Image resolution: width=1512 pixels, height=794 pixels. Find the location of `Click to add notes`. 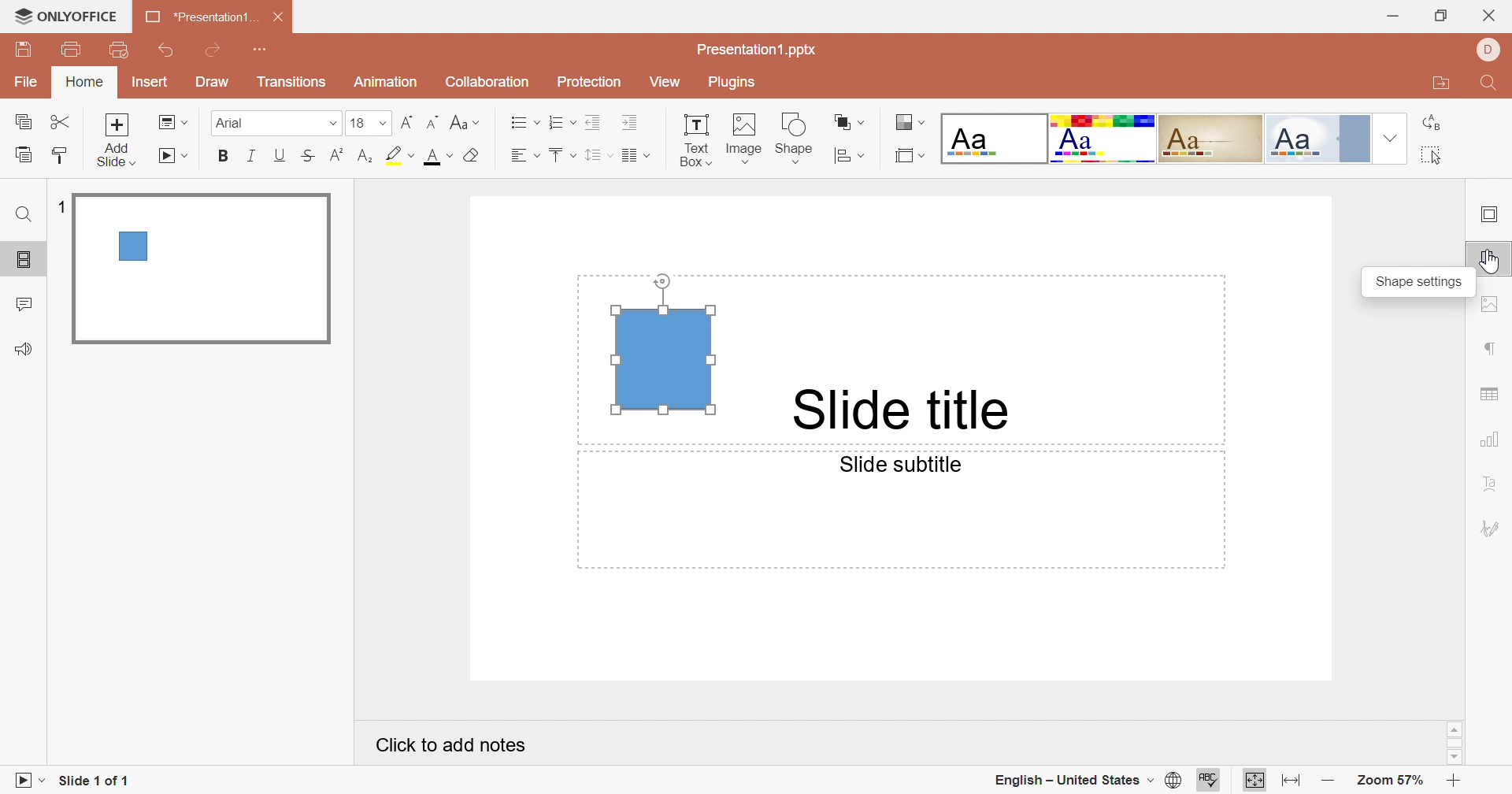

Click to add notes is located at coordinates (452, 748).